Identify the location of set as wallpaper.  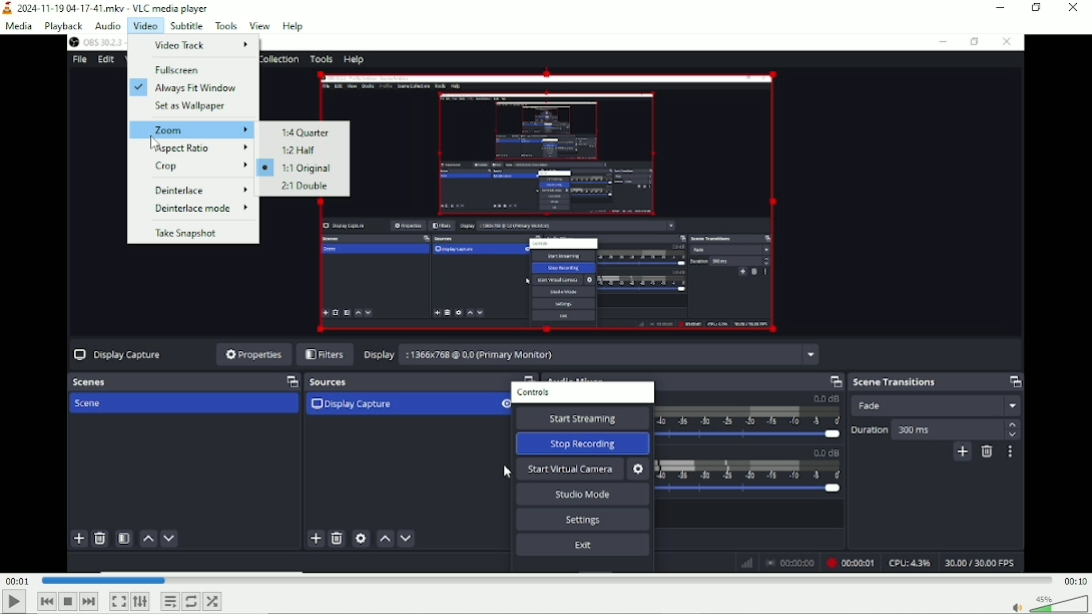
(192, 108).